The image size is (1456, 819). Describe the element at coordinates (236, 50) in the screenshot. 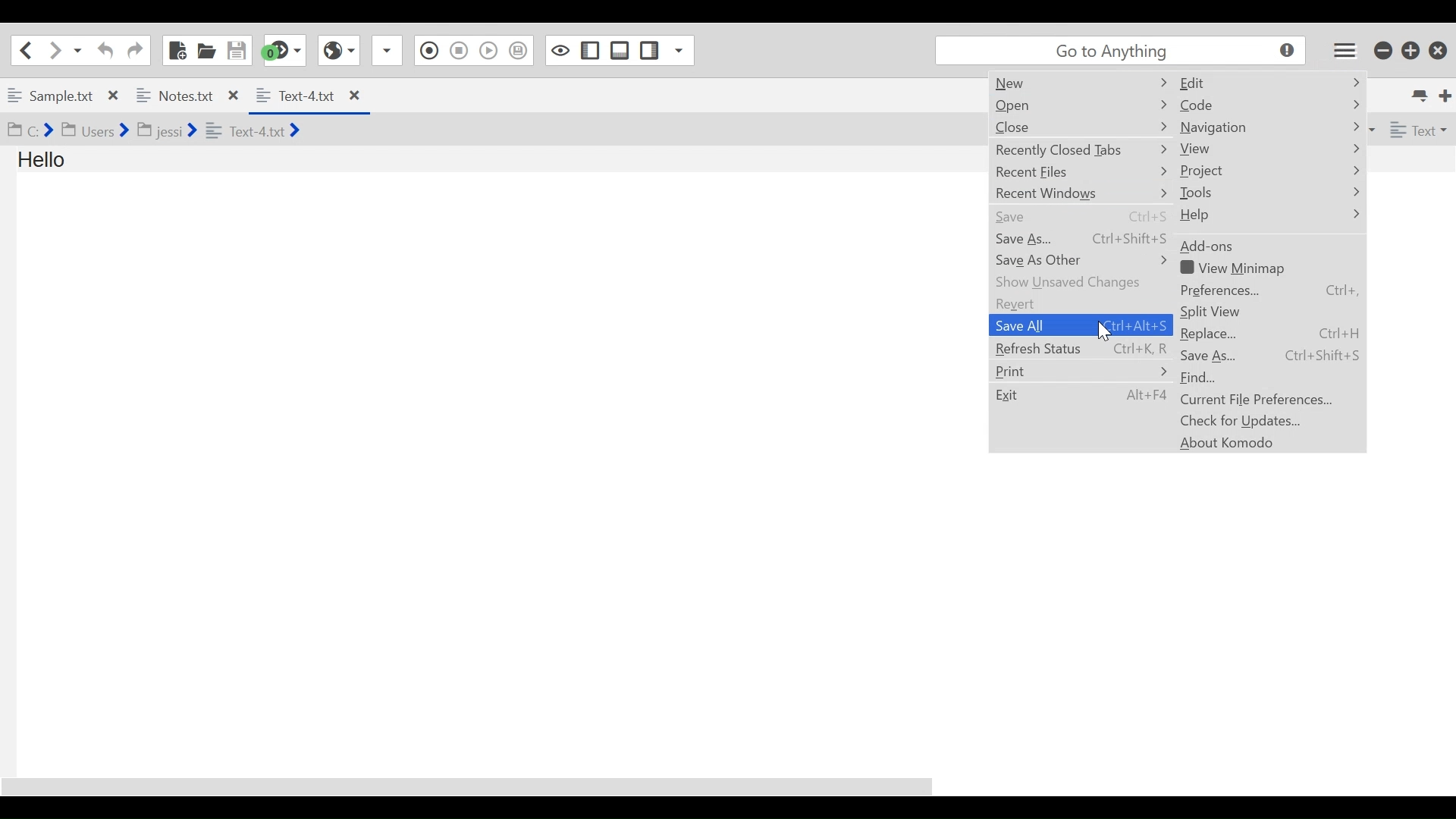

I see `Save File` at that location.